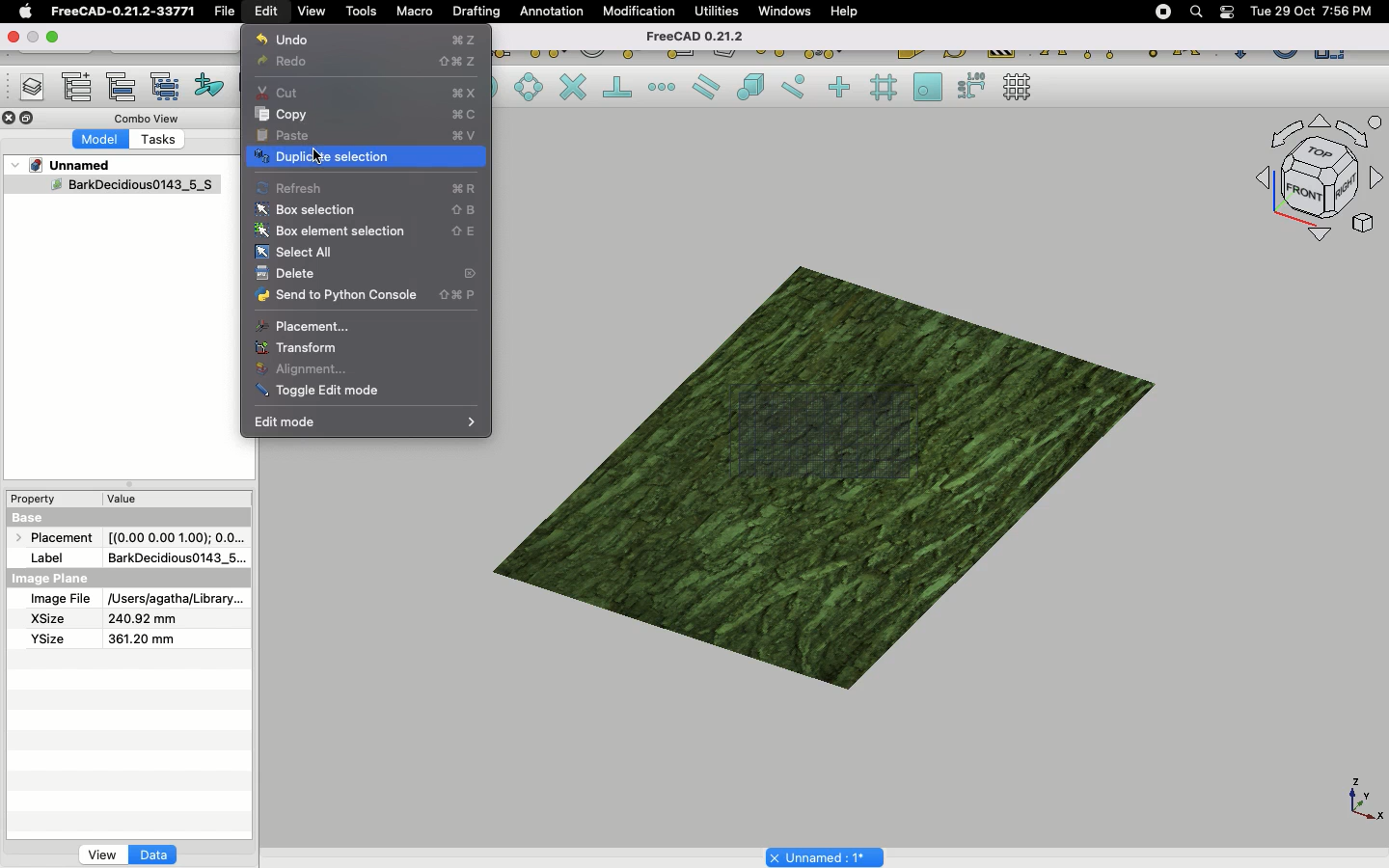 Image resolution: width=1389 pixels, height=868 pixels. Describe the element at coordinates (31, 516) in the screenshot. I see `Base` at that location.